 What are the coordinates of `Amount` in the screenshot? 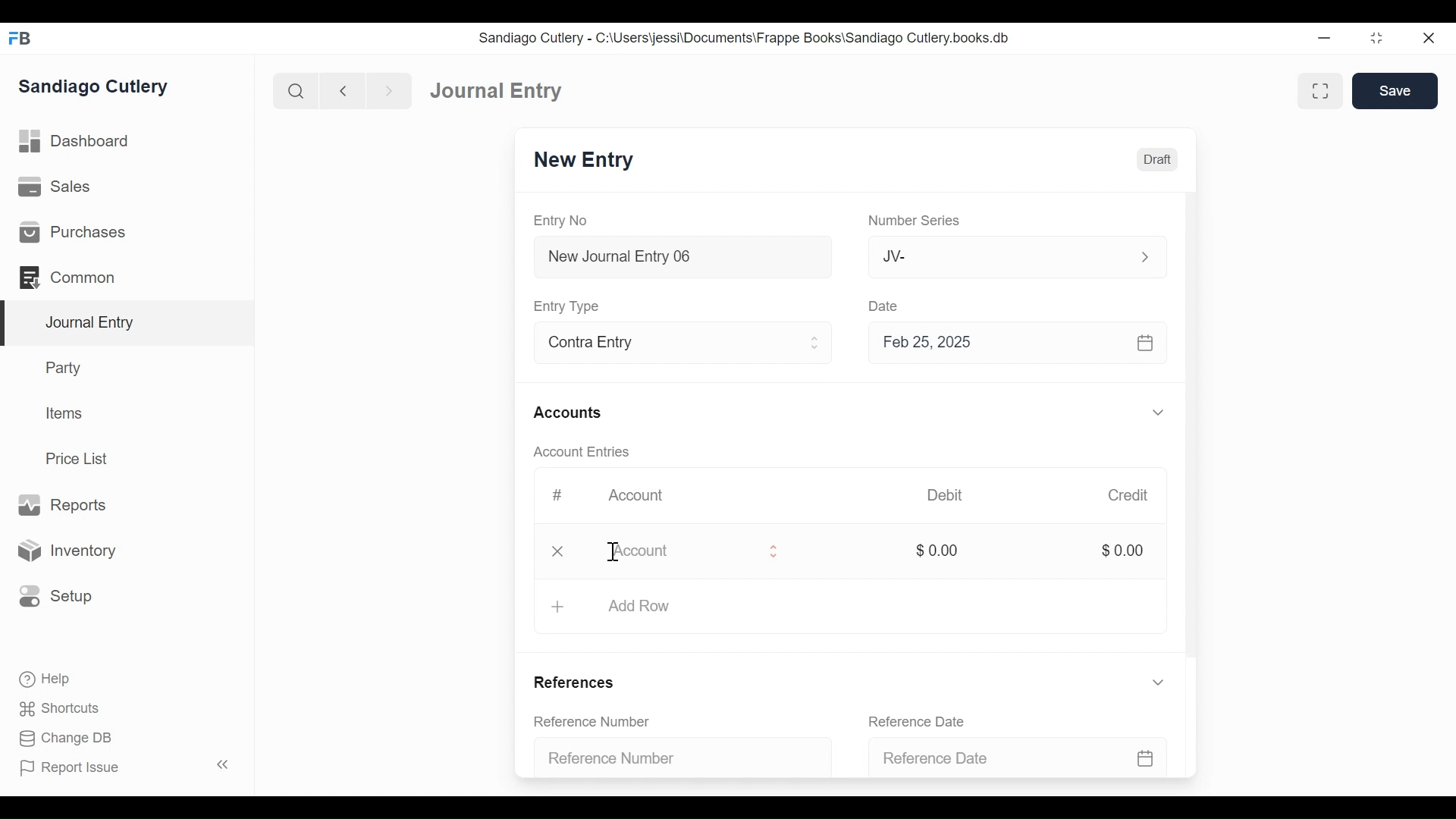 It's located at (683, 551).